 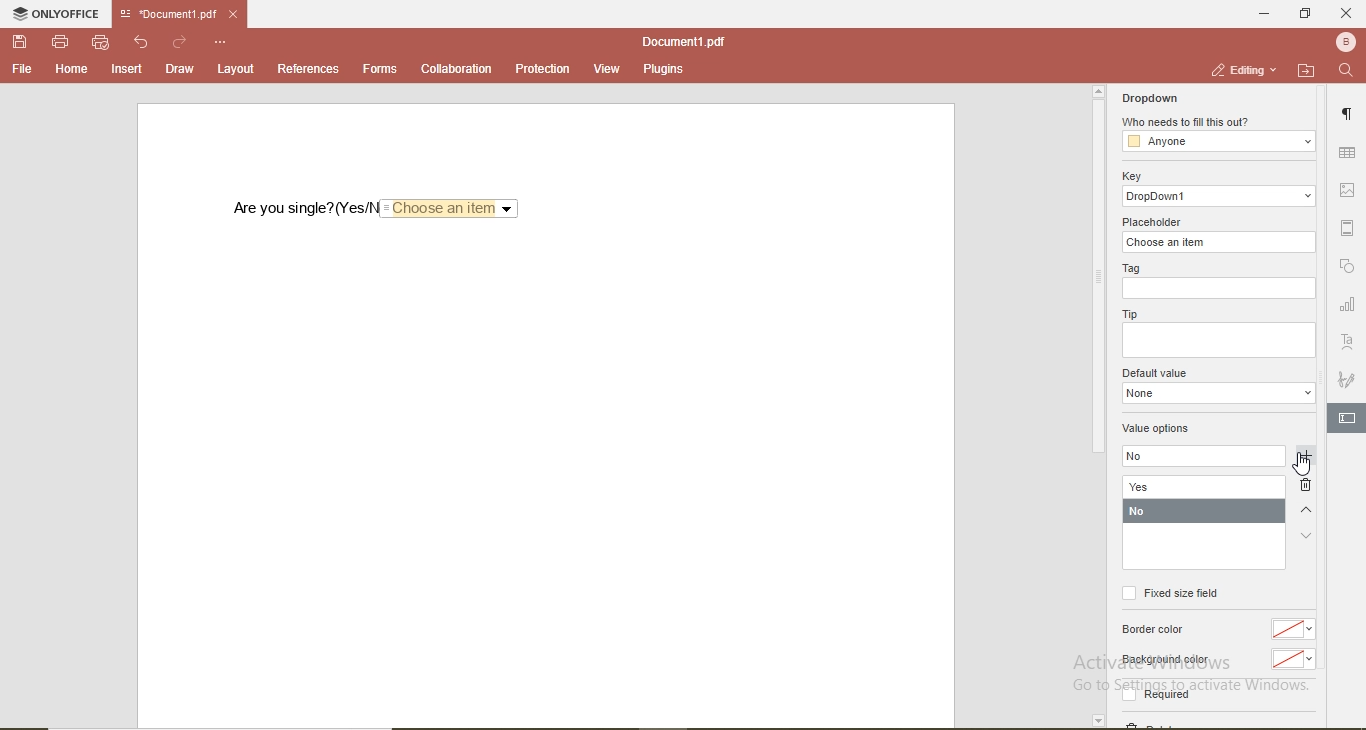 I want to click on minimise, so click(x=1262, y=15).